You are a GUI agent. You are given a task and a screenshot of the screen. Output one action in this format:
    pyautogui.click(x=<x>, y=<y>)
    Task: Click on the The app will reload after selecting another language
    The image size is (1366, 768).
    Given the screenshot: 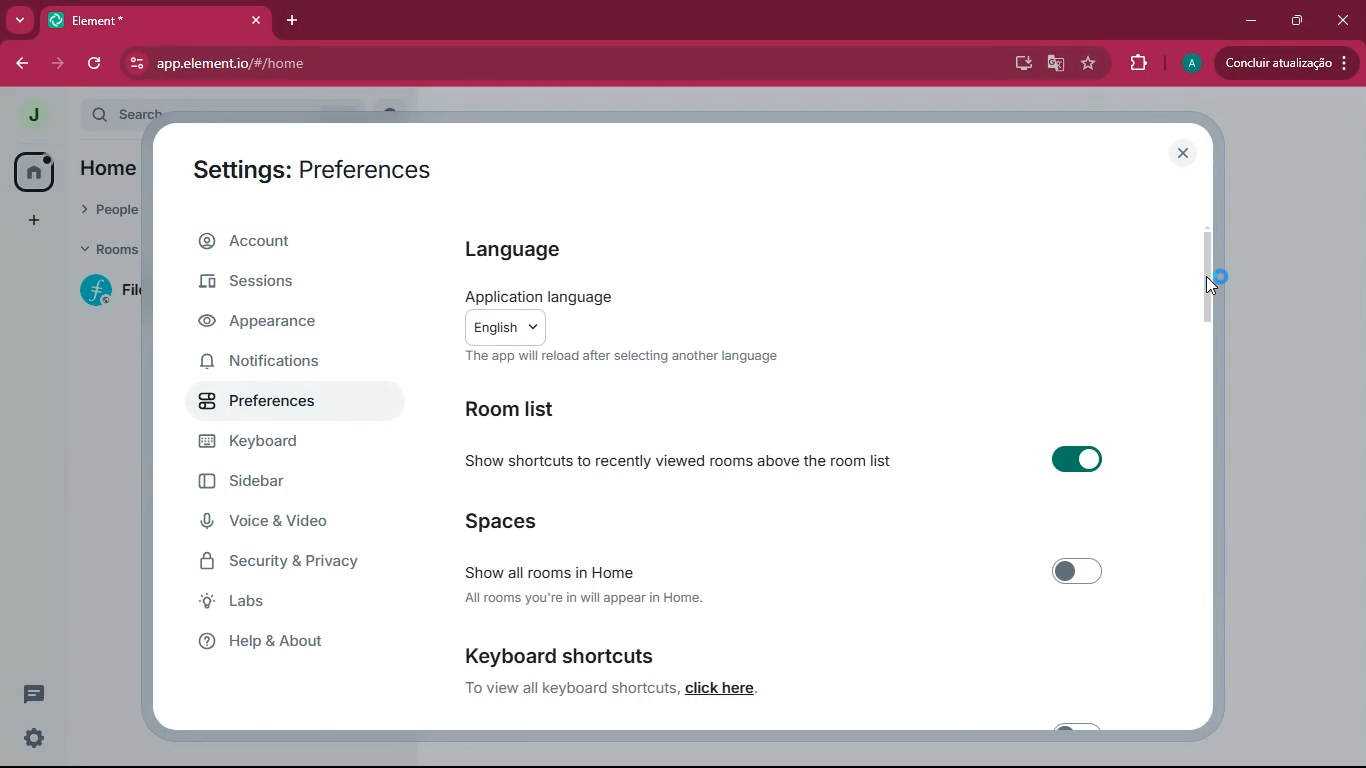 What is the action you would take?
    pyautogui.click(x=615, y=358)
    